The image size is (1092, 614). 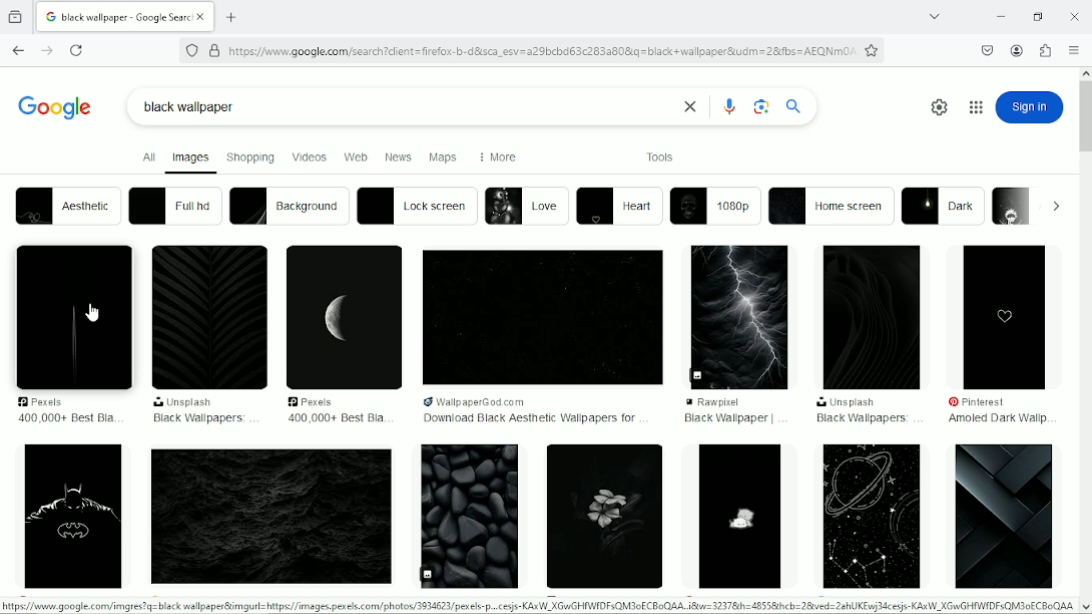 I want to click on all, so click(x=146, y=157).